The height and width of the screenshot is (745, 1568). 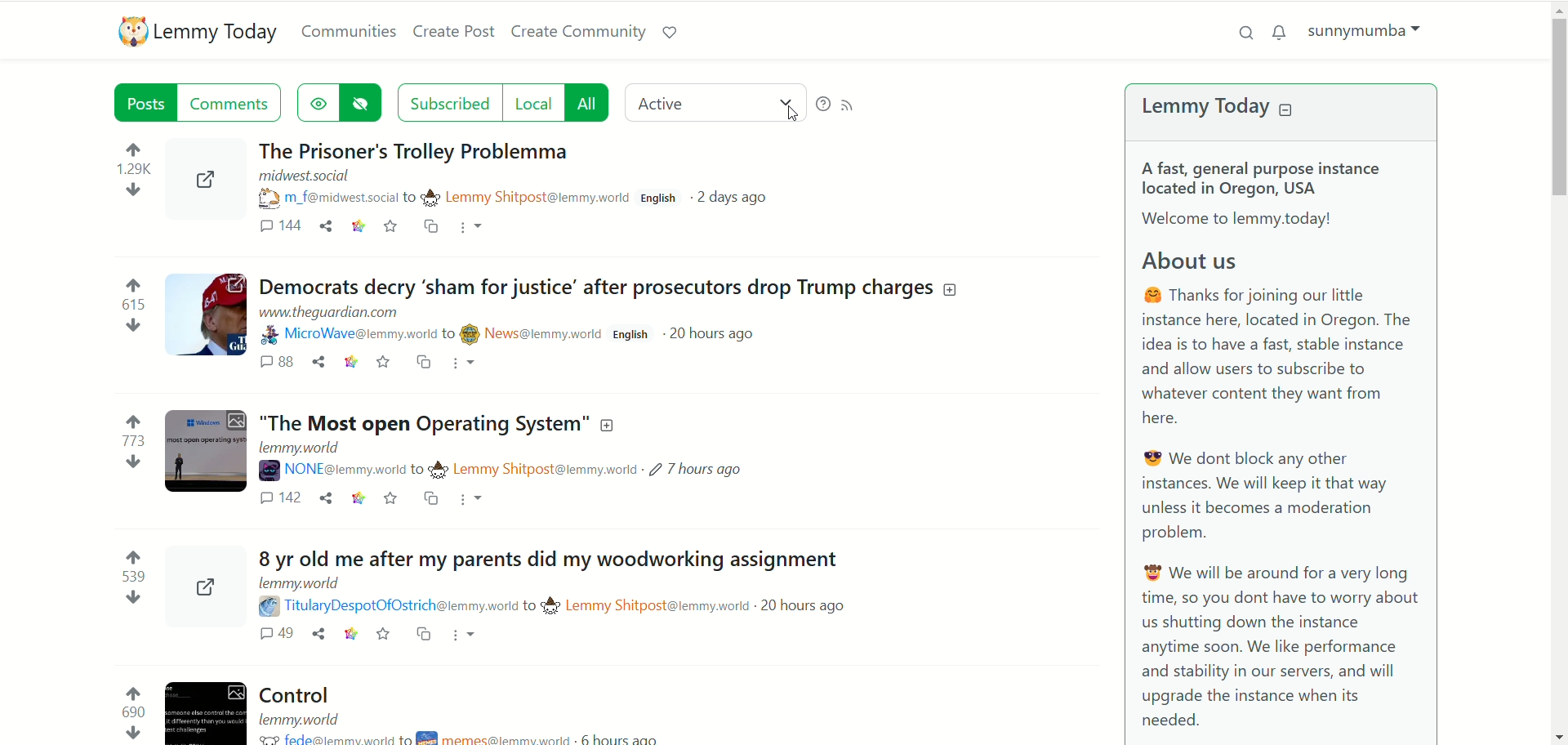 I want to click on MicroWave@lemmy.world to News@lemmy.world, so click(x=433, y=335).